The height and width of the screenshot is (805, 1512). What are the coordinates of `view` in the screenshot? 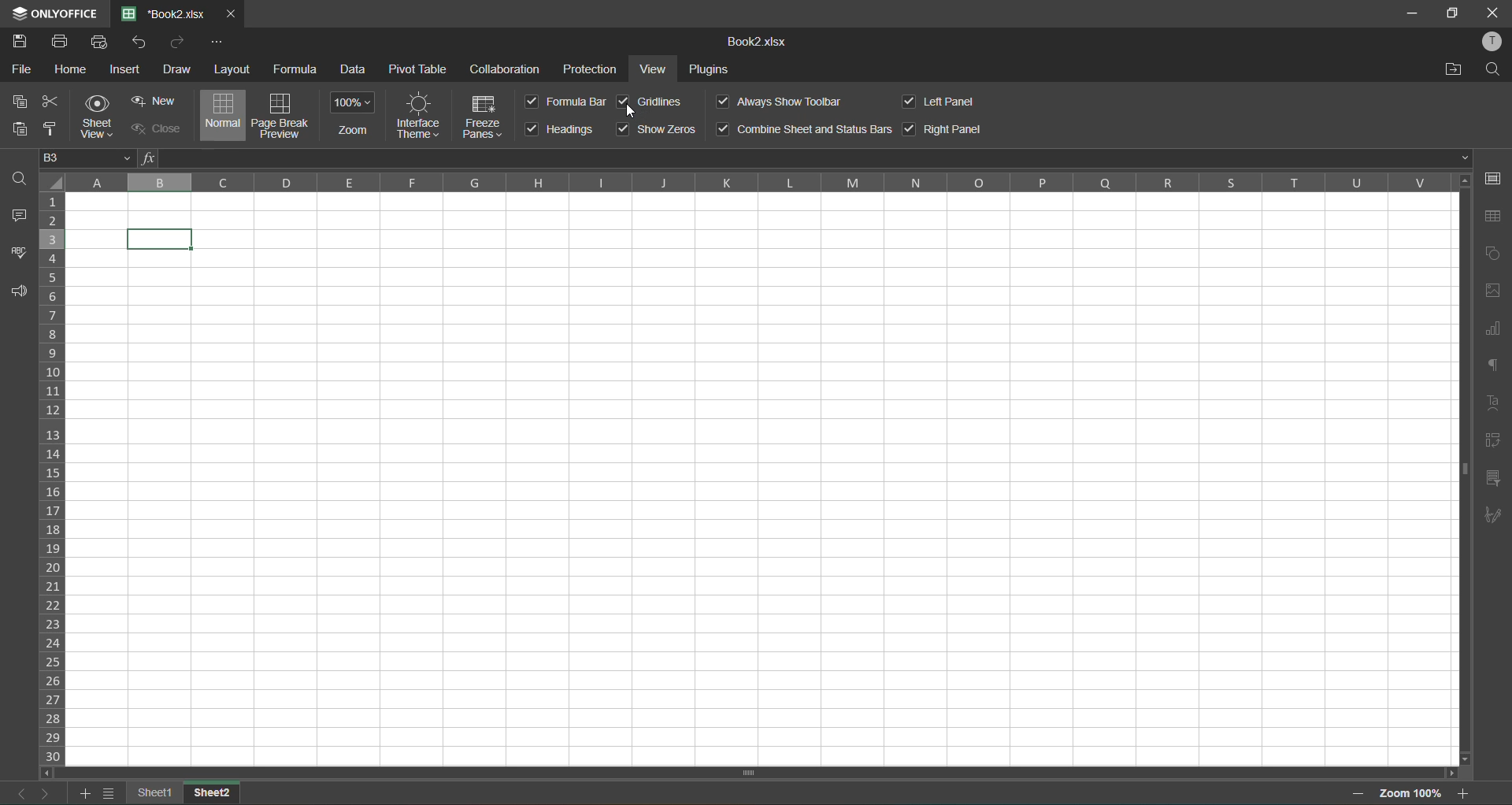 It's located at (656, 70).